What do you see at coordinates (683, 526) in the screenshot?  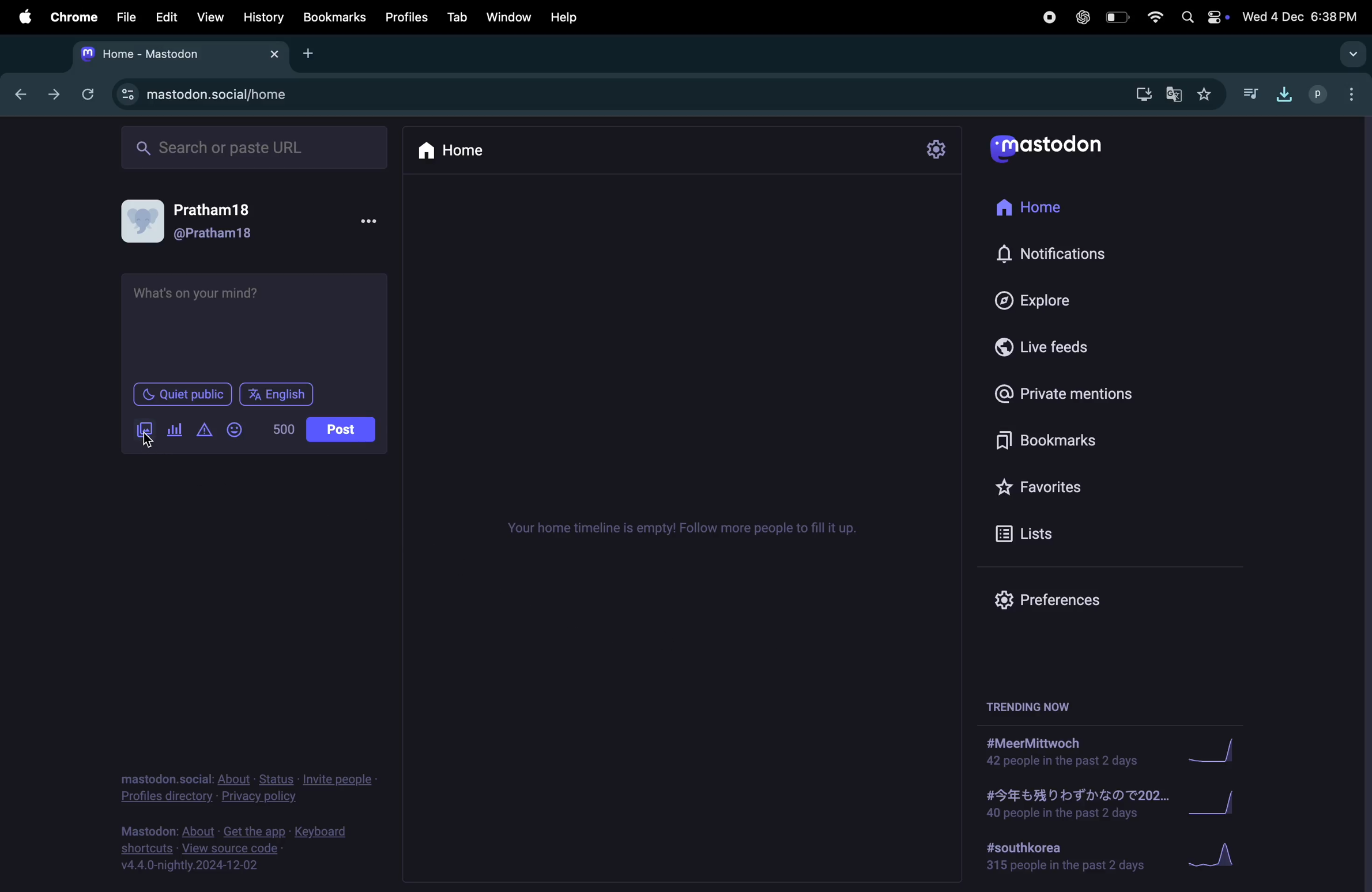 I see `time line` at bounding box center [683, 526].